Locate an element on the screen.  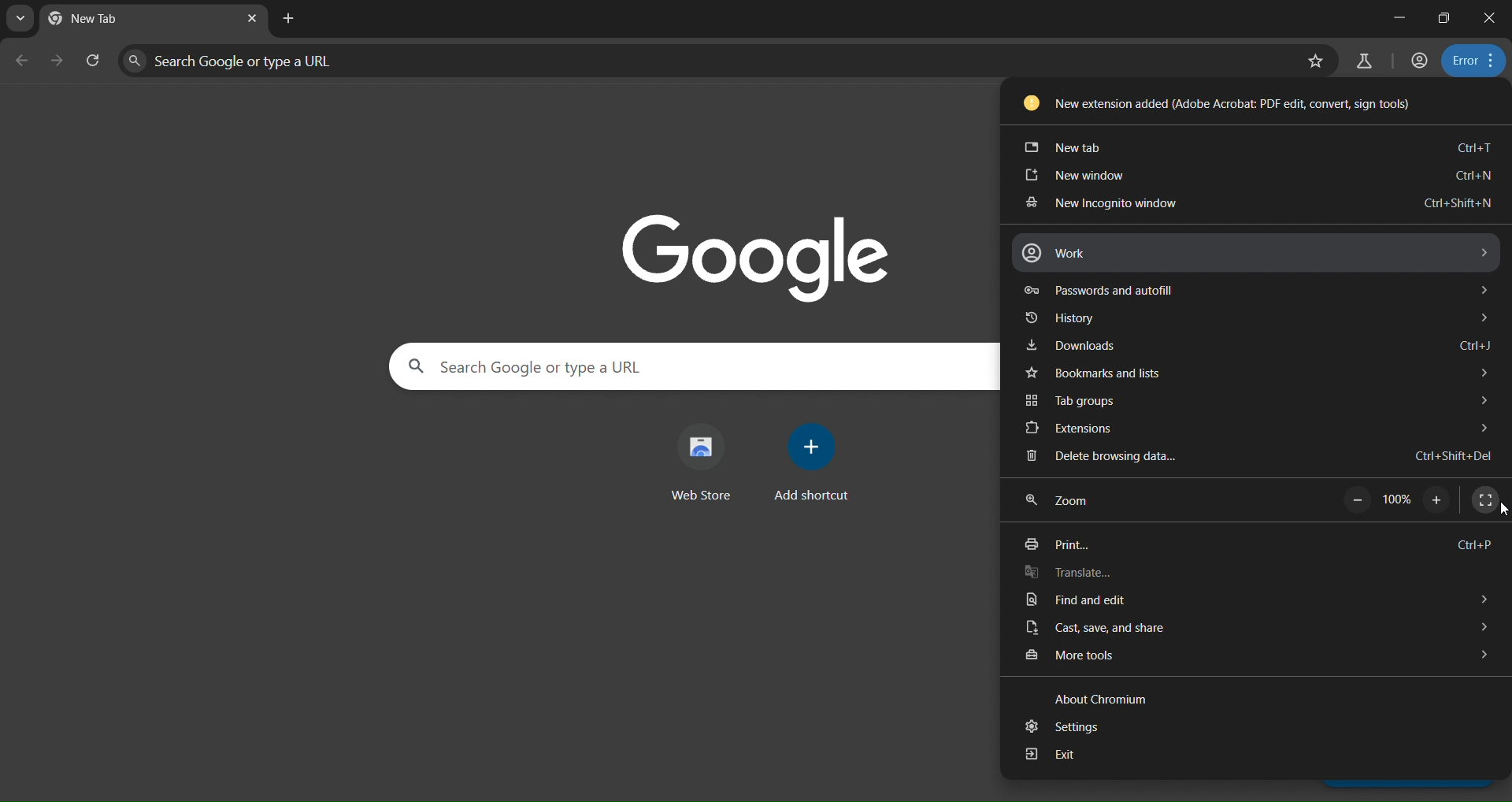
minimize is located at coordinates (1399, 18).